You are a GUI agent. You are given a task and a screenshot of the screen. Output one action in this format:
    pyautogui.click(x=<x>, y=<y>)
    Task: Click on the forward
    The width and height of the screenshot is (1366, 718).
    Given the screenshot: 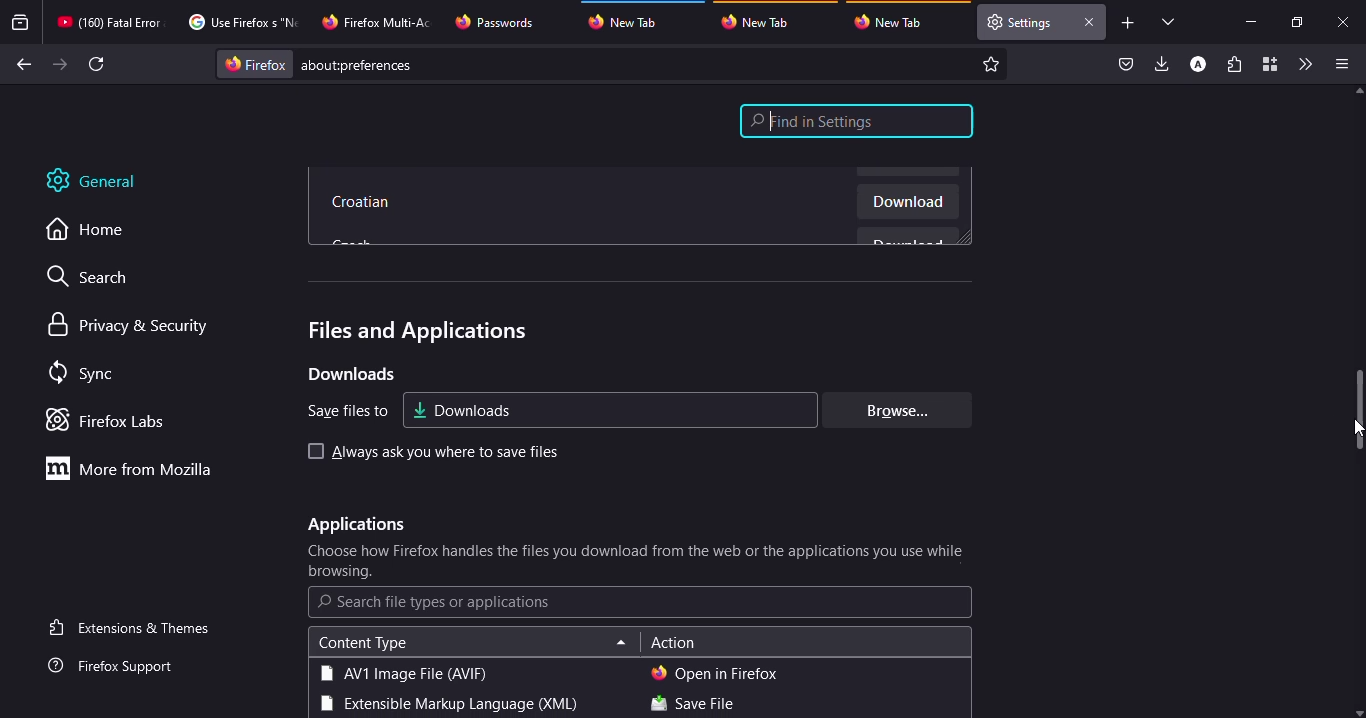 What is the action you would take?
    pyautogui.click(x=60, y=64)
    